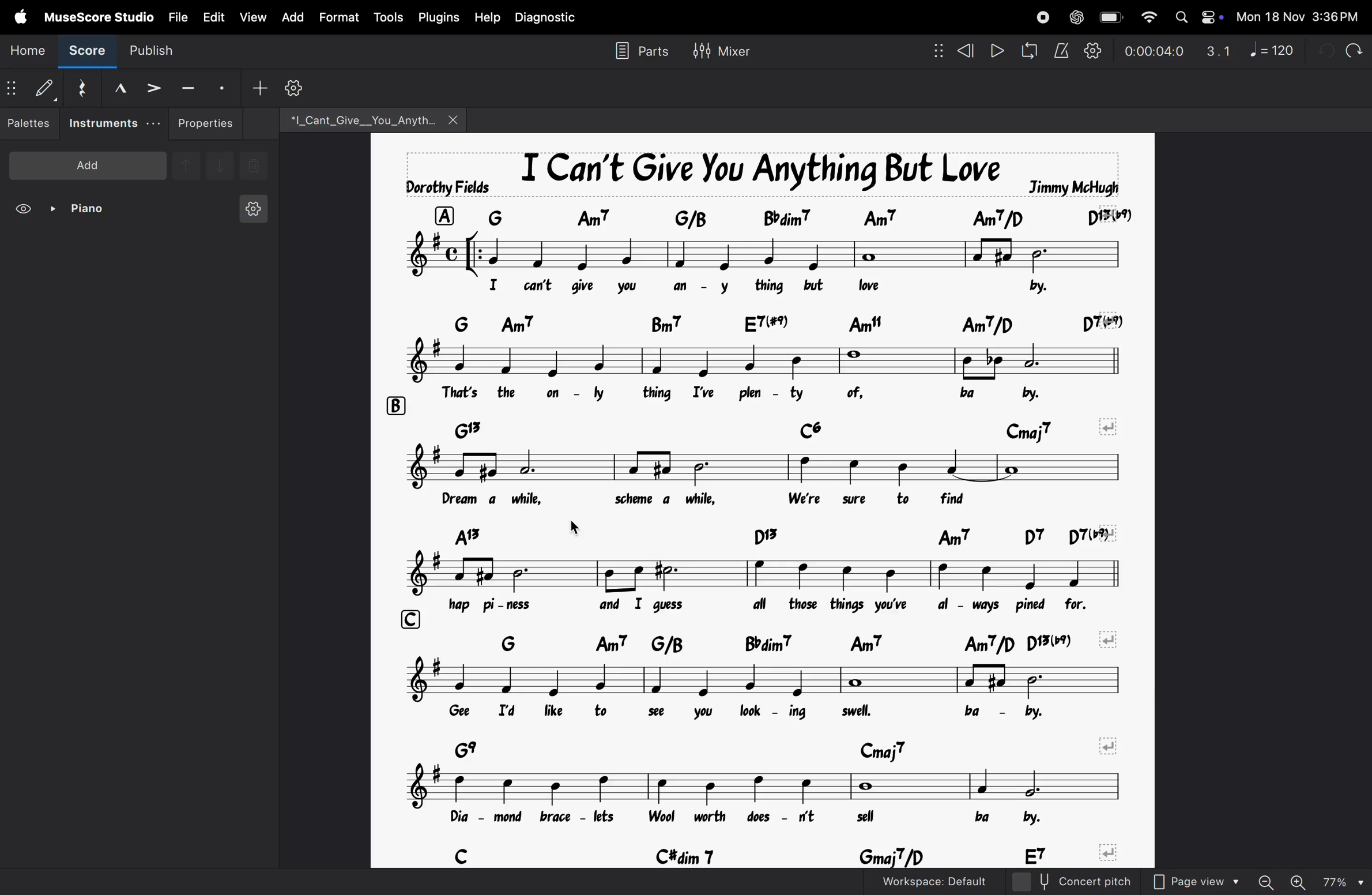 This screenshot has height=895, width=1372. What do you see at coordinates (174, 16) in the screenshot?
I see `file` at bounding box center [174, 16].